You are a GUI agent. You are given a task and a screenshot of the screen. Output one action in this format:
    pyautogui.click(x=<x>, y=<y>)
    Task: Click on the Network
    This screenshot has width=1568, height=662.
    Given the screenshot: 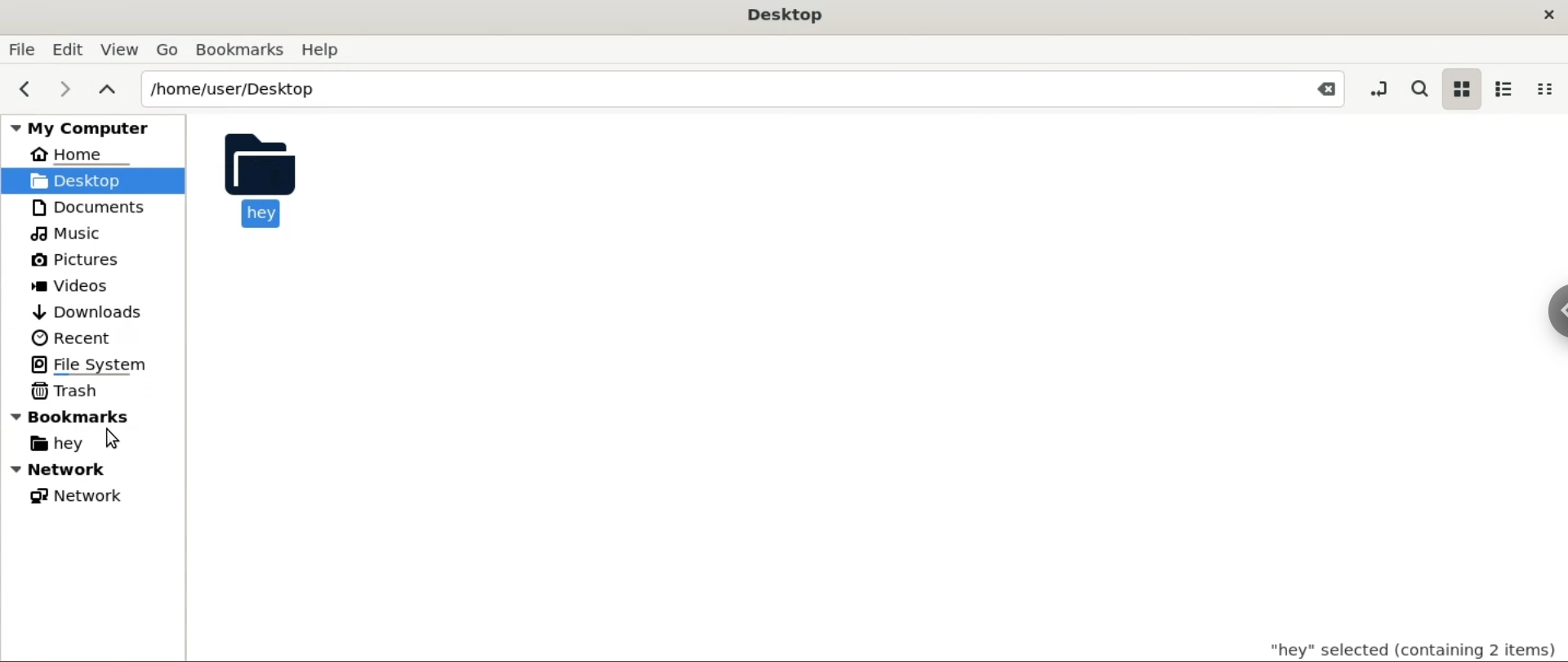 What is the action you would take?
    pyautogui.click(x=83, y=472)
    